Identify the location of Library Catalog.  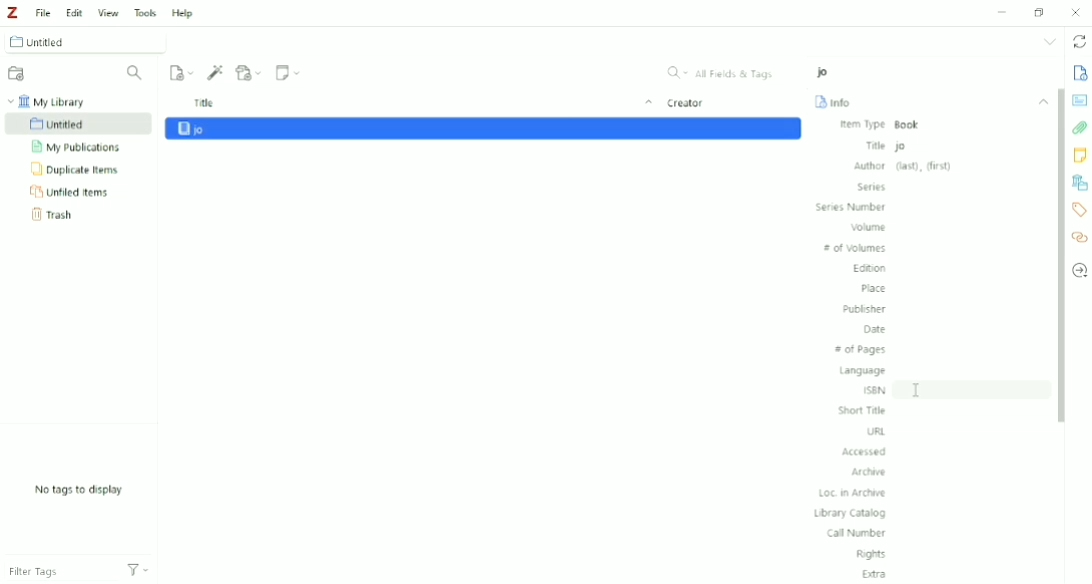
(849, 513).